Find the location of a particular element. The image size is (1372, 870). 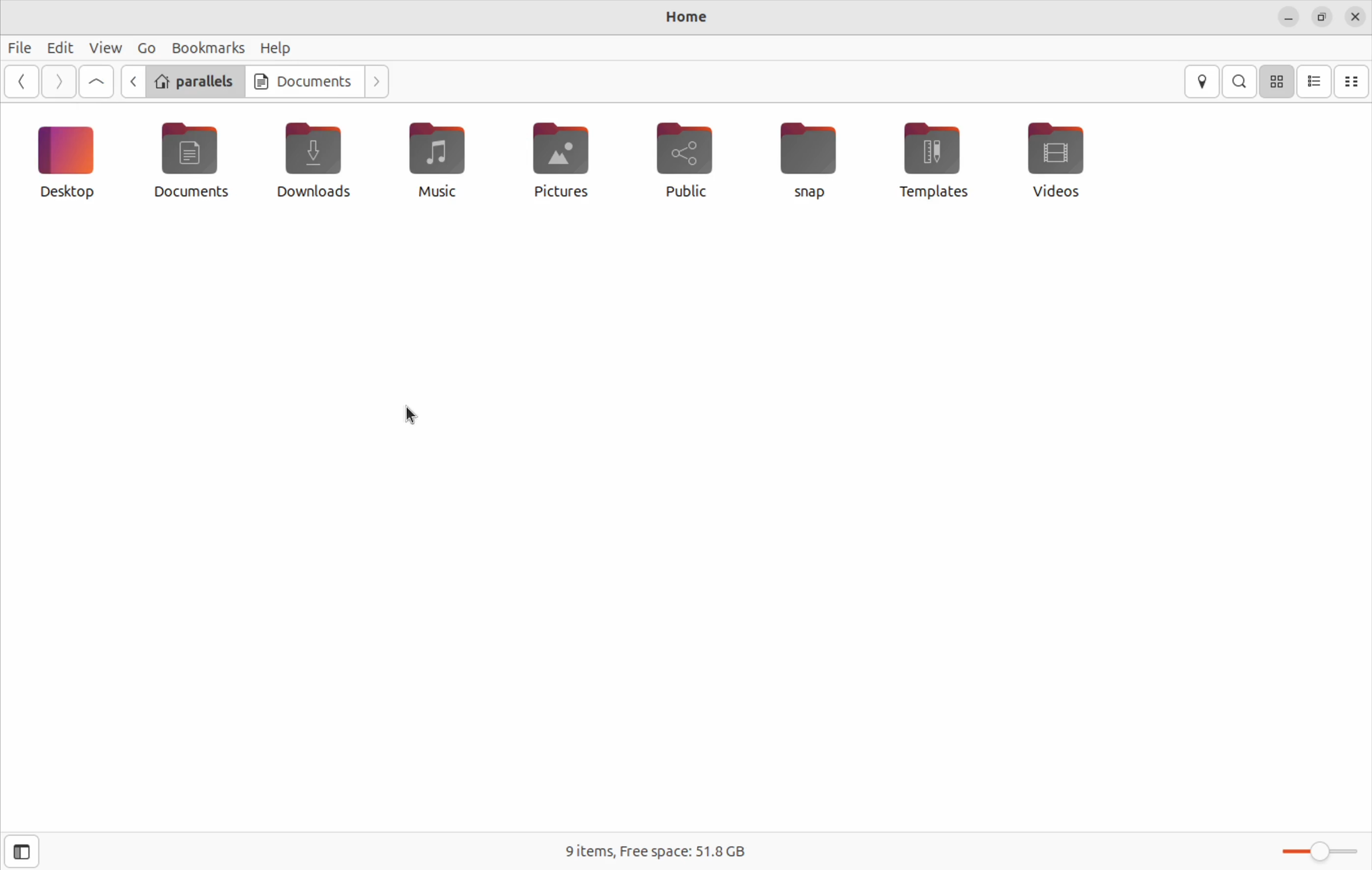

icon view is located at coordinates (1277, 80).